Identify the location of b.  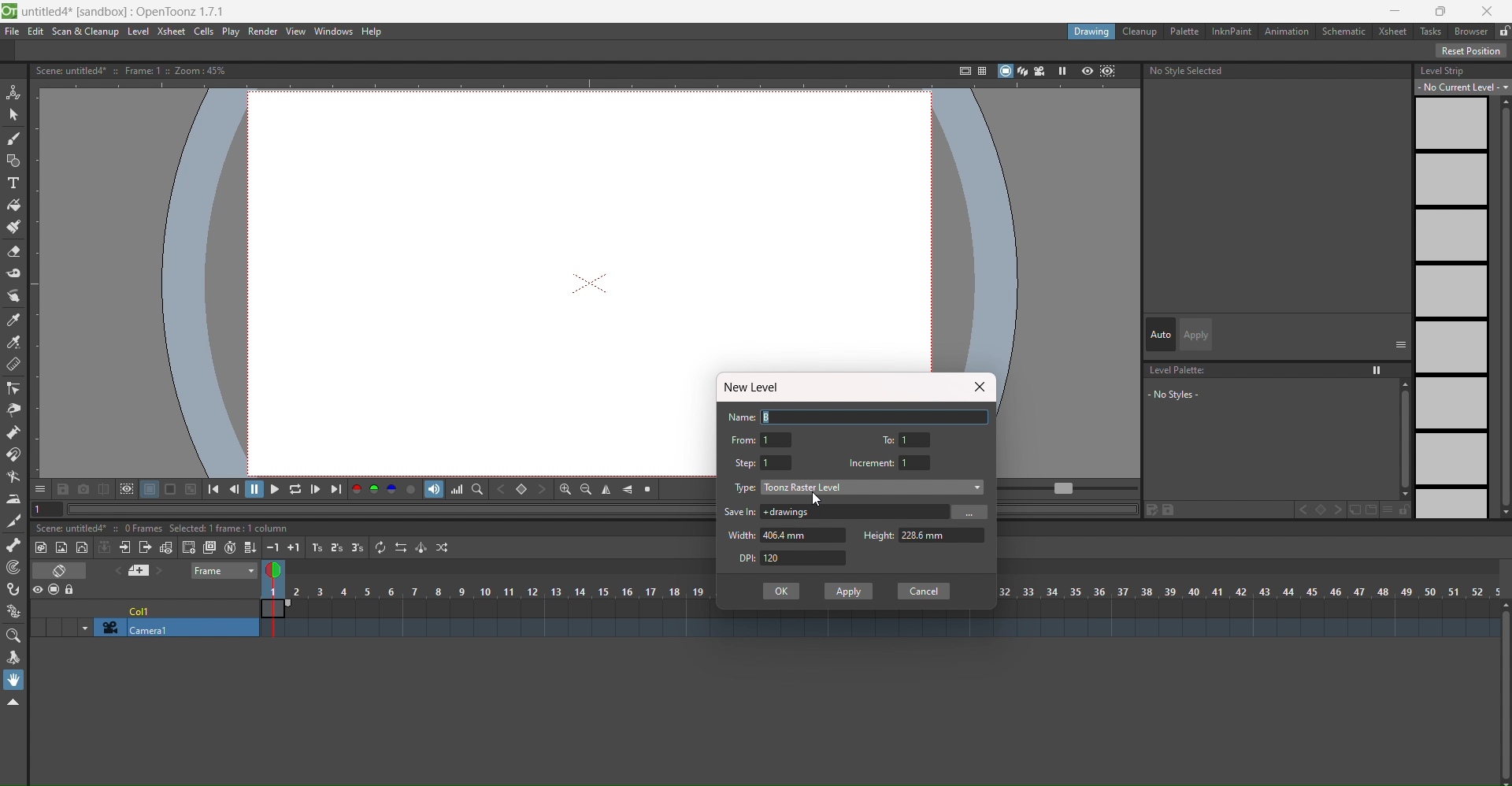
(1471, 31).